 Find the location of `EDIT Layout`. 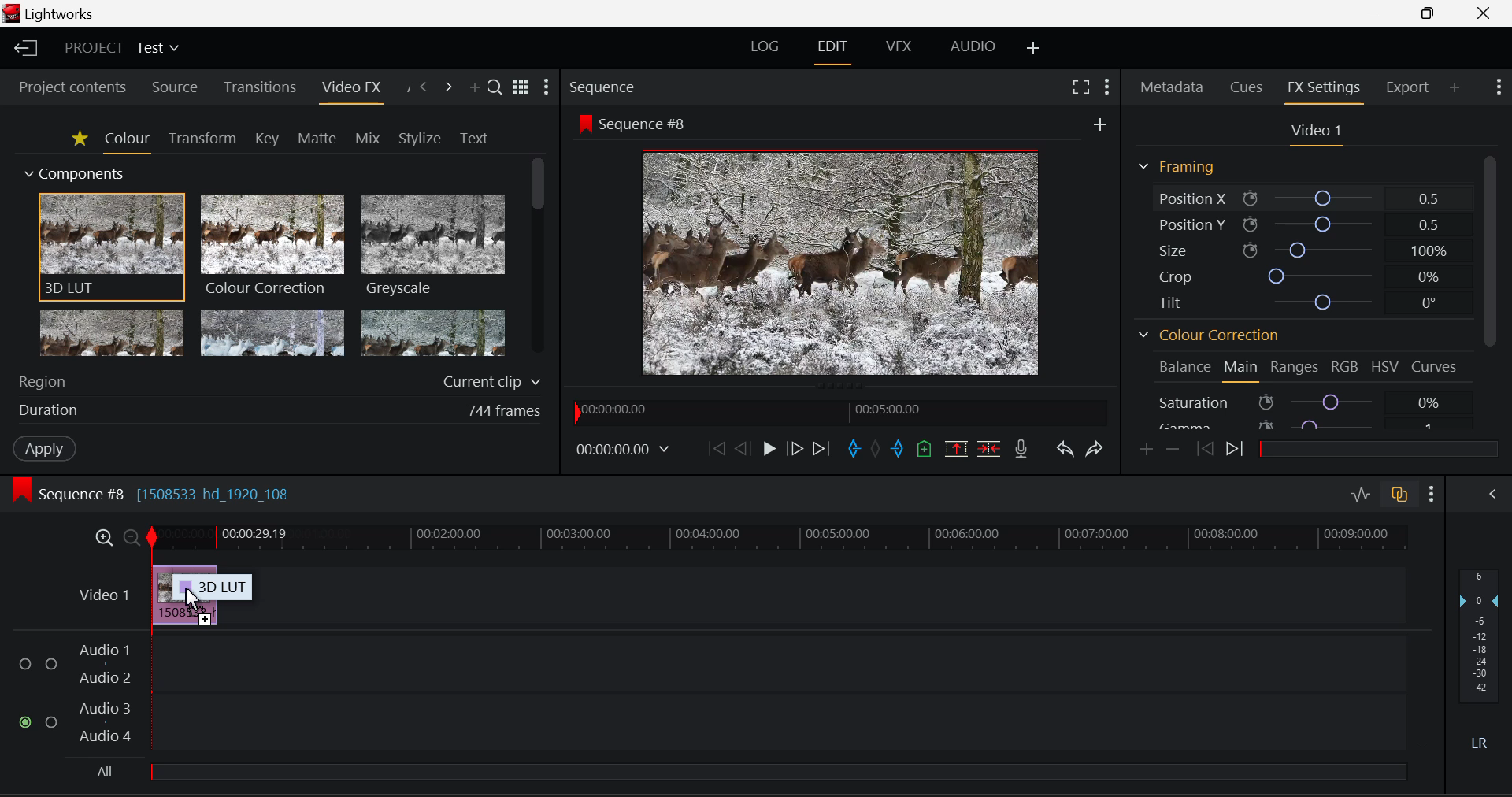

EDIT Layout is located at coordinates (831, 50).